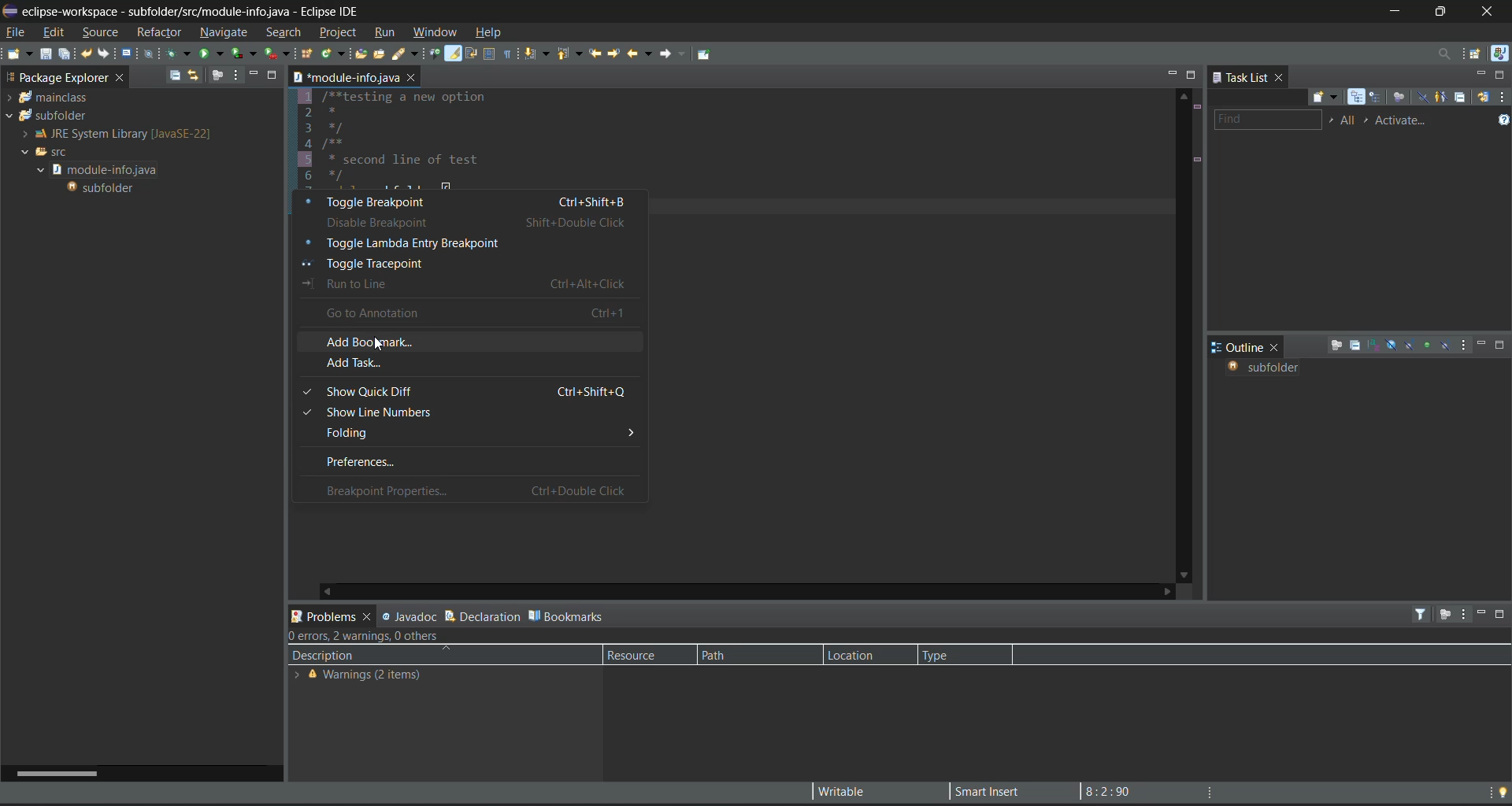 Image resolution: width=1512 pixels, height=806 pixels. I want to click on minimize, so click(1396, 10).